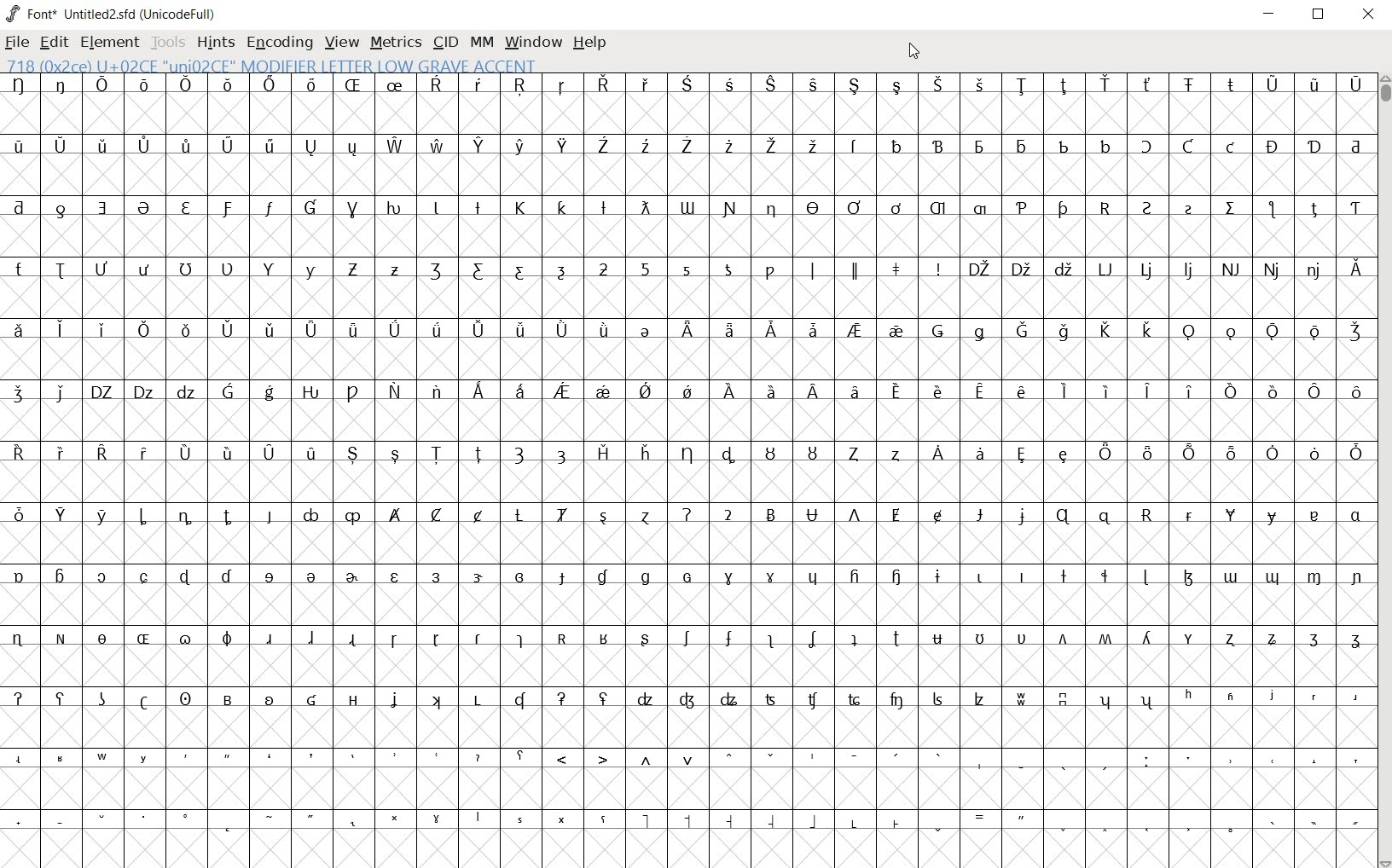 The image size is (1392, 868). What do you see at coordinates (395, 42) in the screenshot?
I see `metrics` at bounding box center [395, 42].